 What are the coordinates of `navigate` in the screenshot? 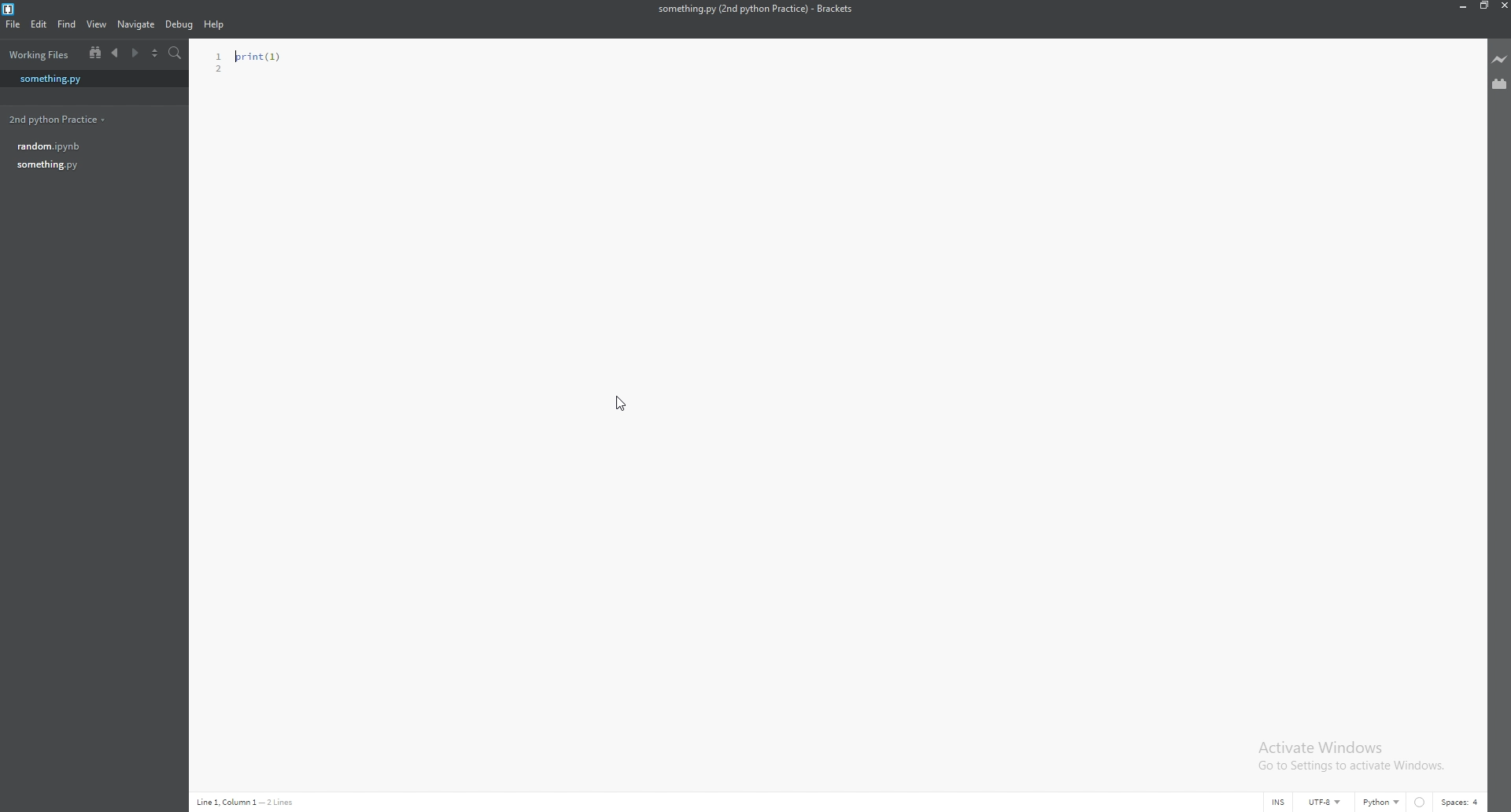 It's located at (138, 24).